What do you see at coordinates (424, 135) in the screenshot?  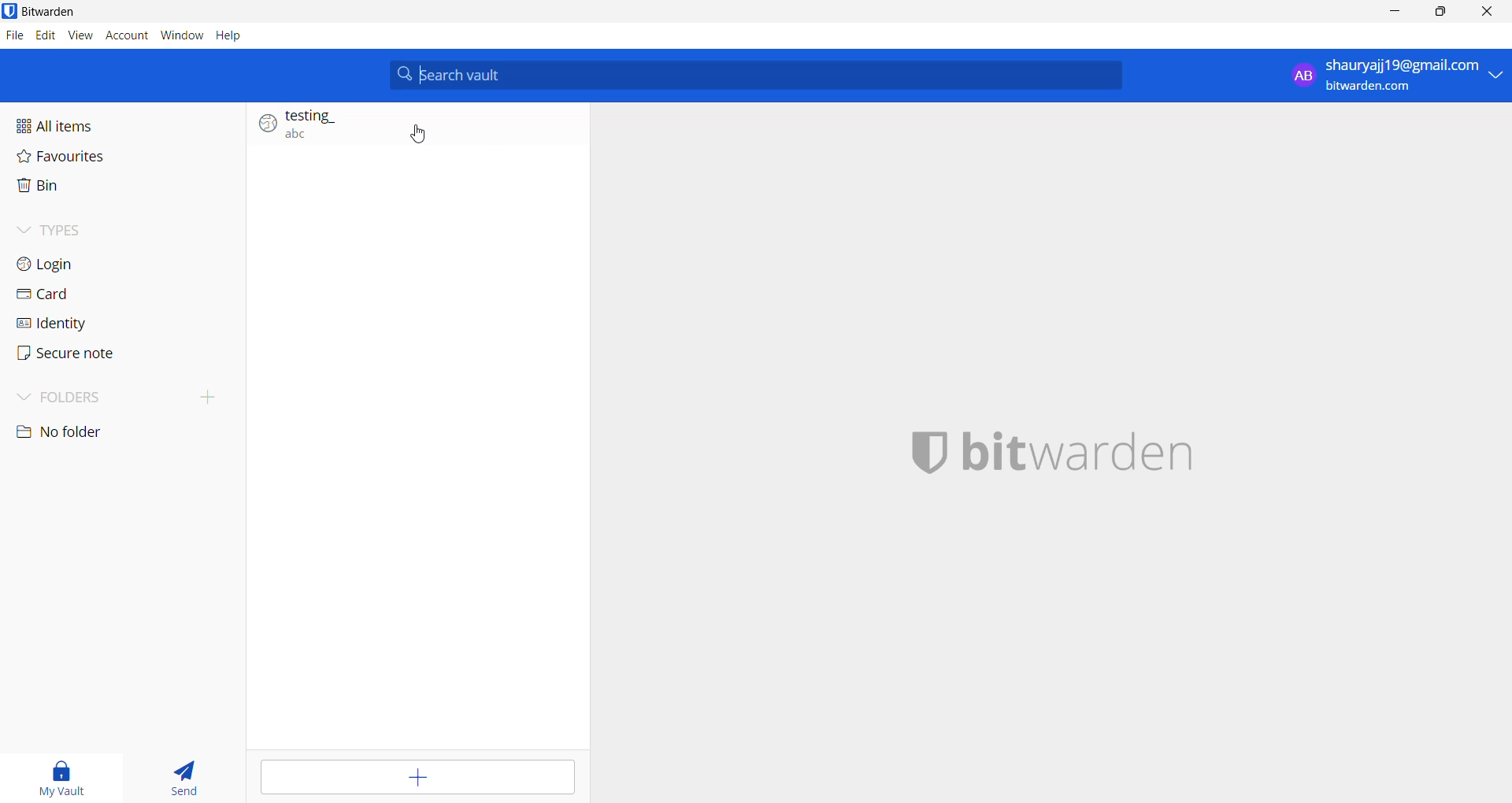 I see `Cursor` at bounding box center [424, 135].